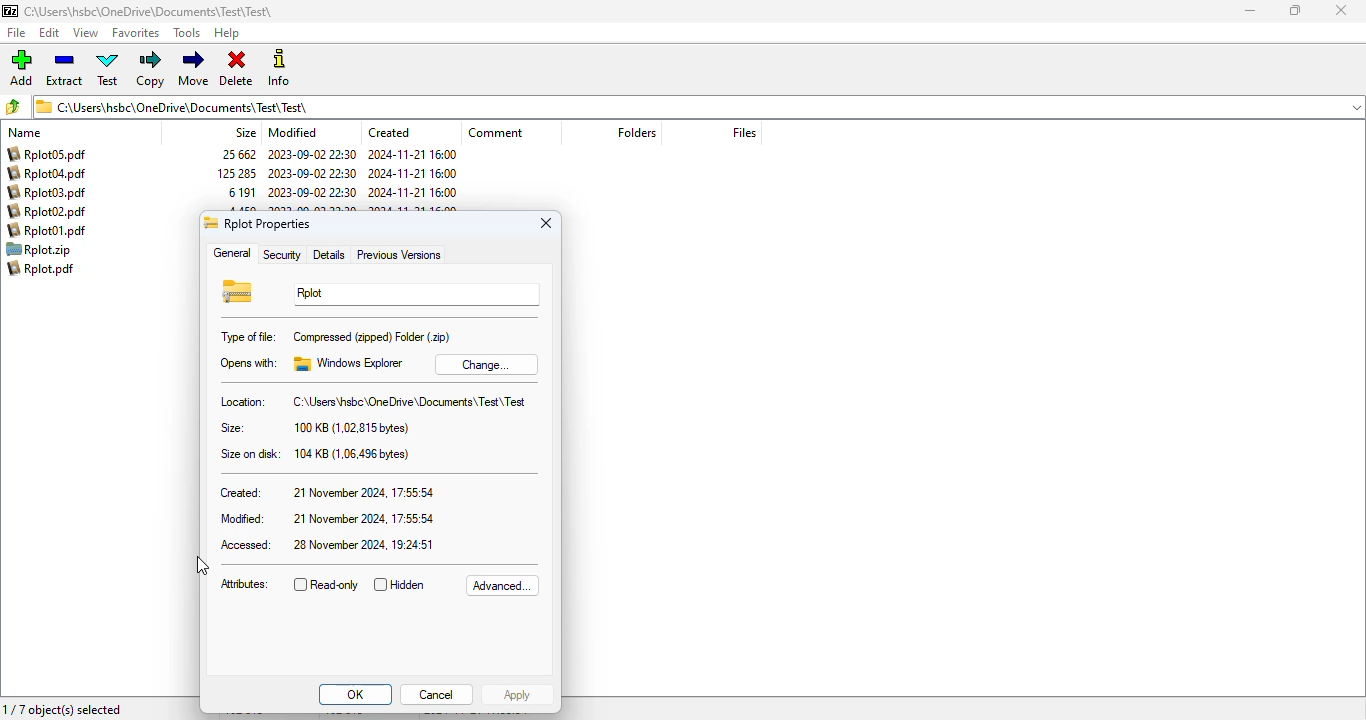 The image size is (1366, 720). Describe the element at coordinates (235, 174) in the screenshot. I see `Rplot04.pdf 125285 2023-09-02 22:30 2024-11-21 16:00` at that location.